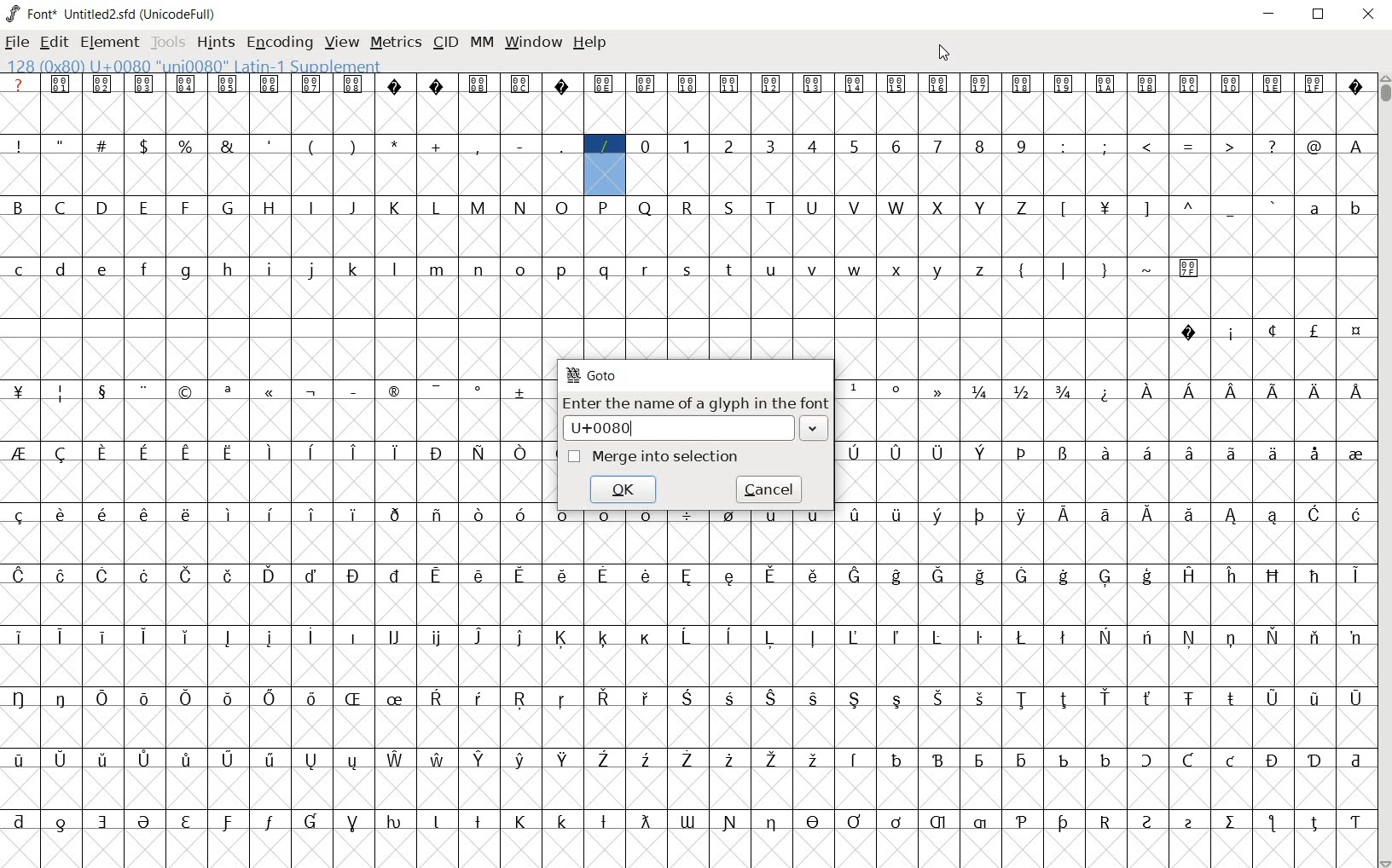  What do you see at coordinates (981, 208) in the screenshot?
I see `glyph` at bounding box center [981, 208].